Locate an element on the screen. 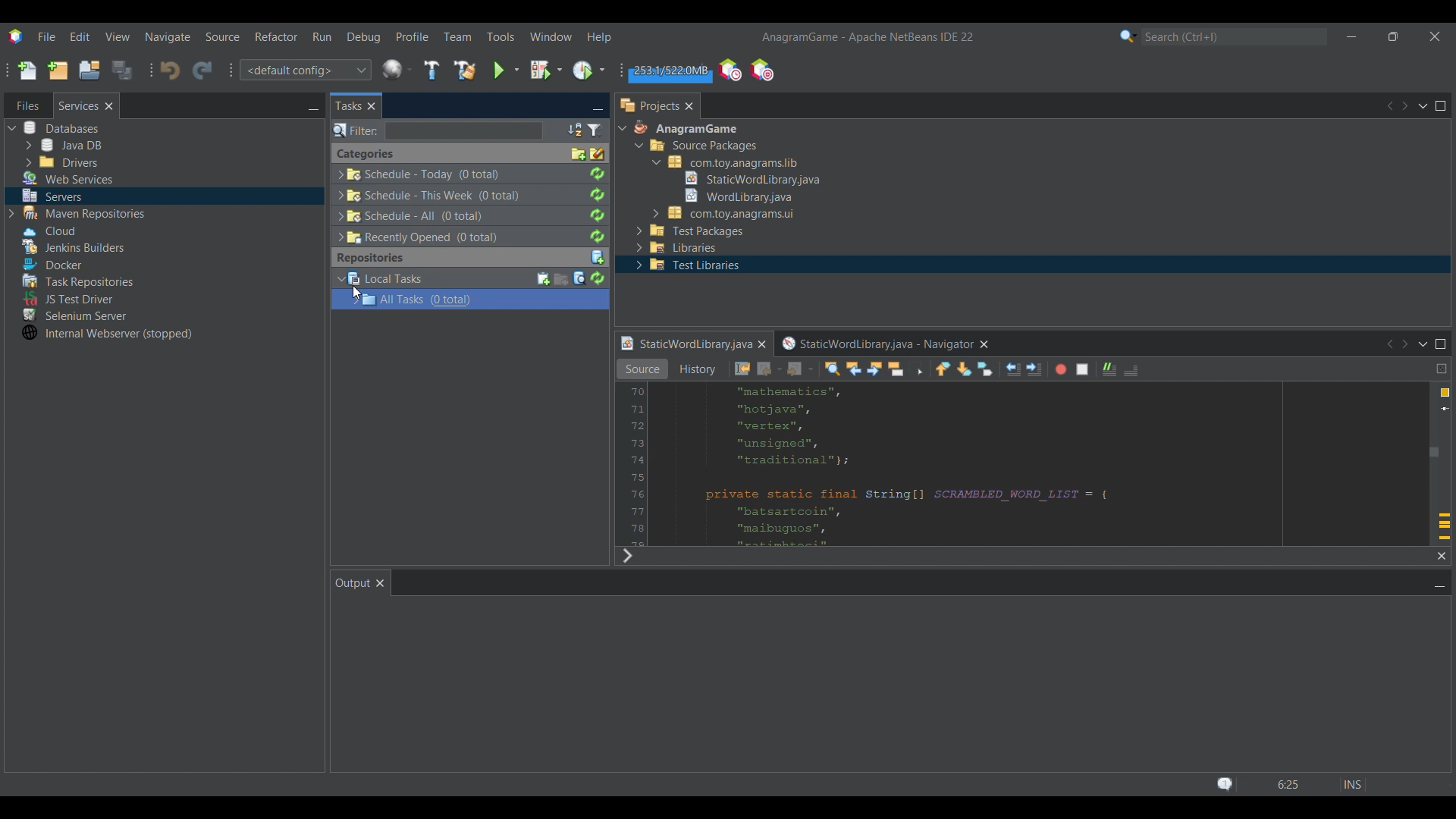  Run main project is located at coordinates (506, 71).